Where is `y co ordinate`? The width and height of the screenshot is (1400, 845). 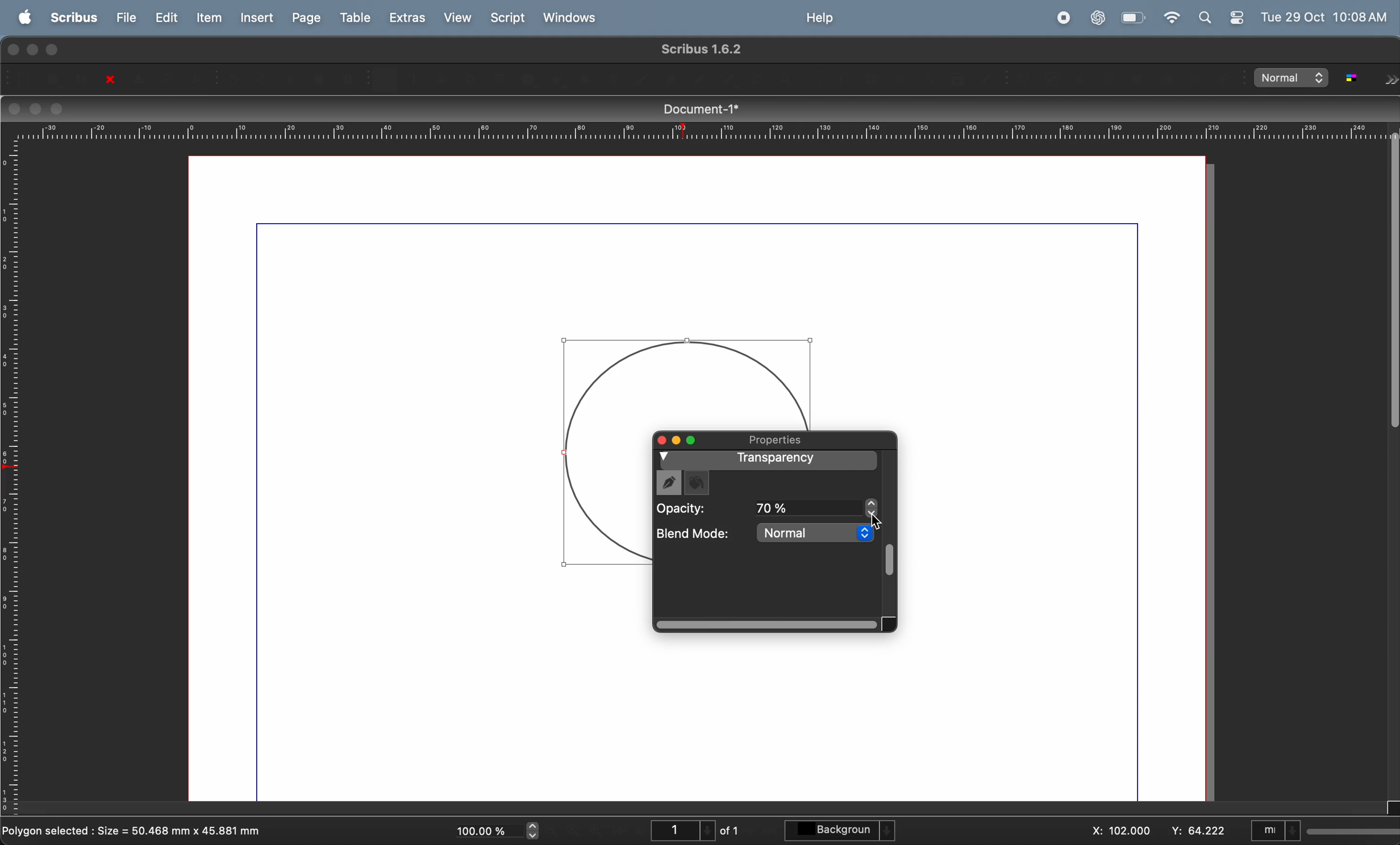 y co ordinate is located at coordinates (1197, 830).